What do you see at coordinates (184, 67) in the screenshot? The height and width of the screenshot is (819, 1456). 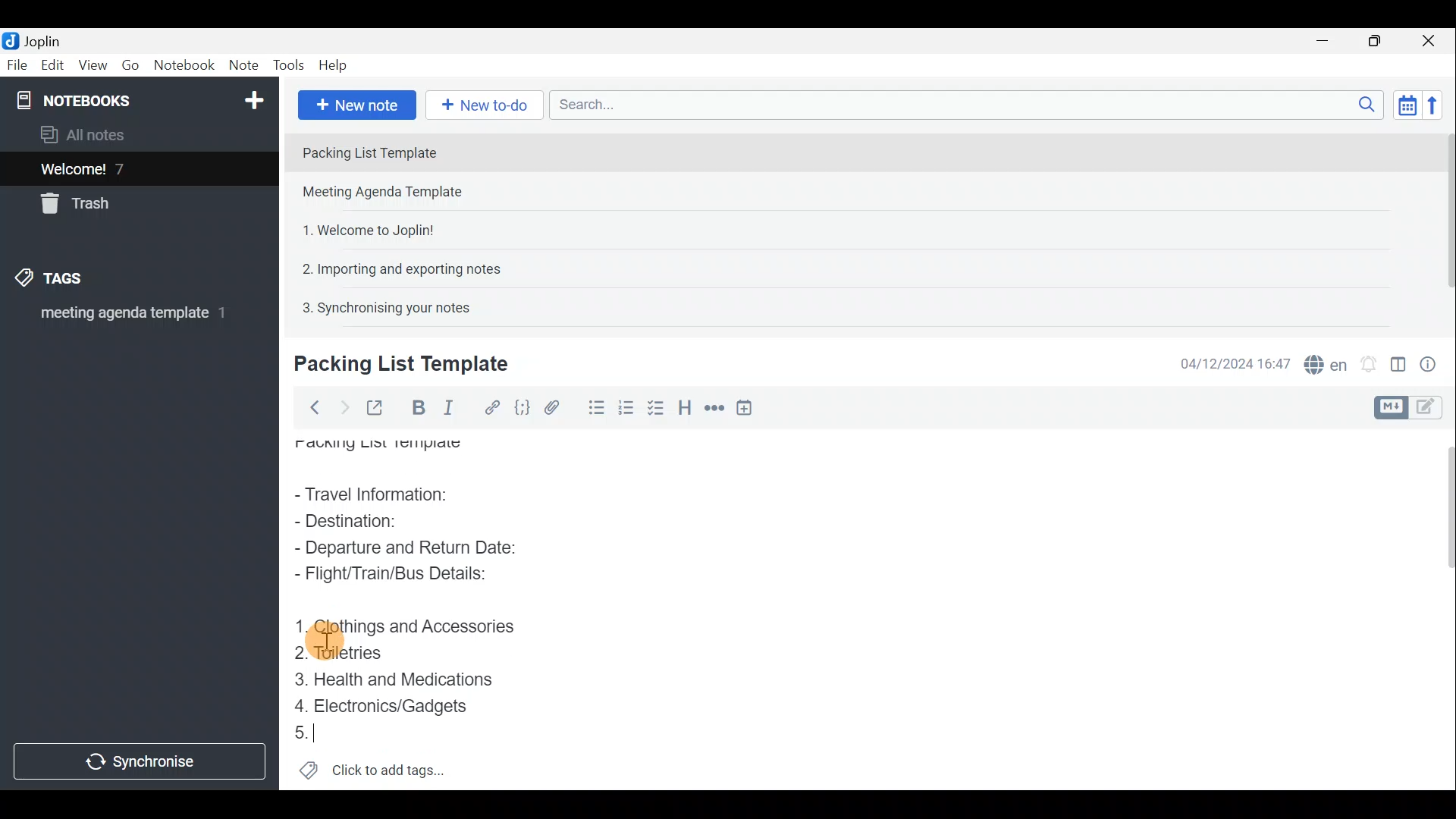 I see `Notebook` at bounding box center [184, 67].